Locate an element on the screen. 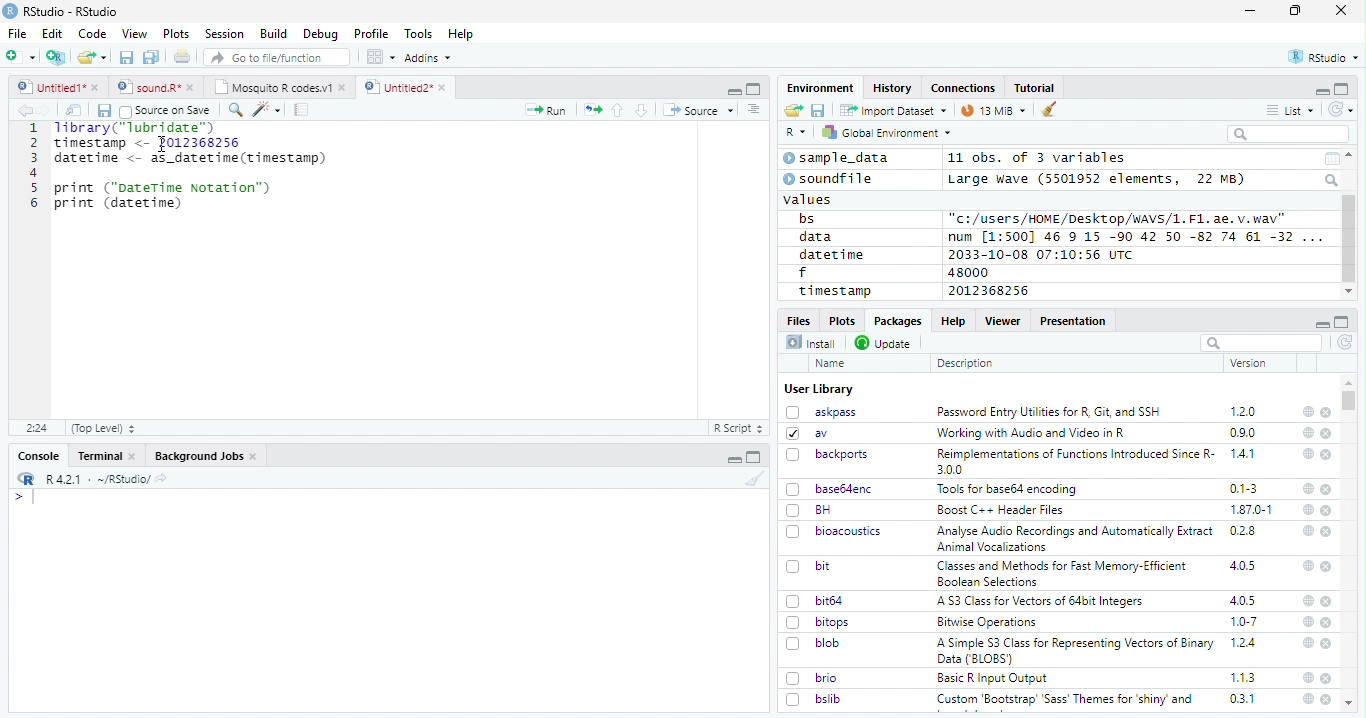 Image resolution: width=1366 pixels, height=718 pixels. 11 obs. of 3 variables is located at coordinates (1038, 159).